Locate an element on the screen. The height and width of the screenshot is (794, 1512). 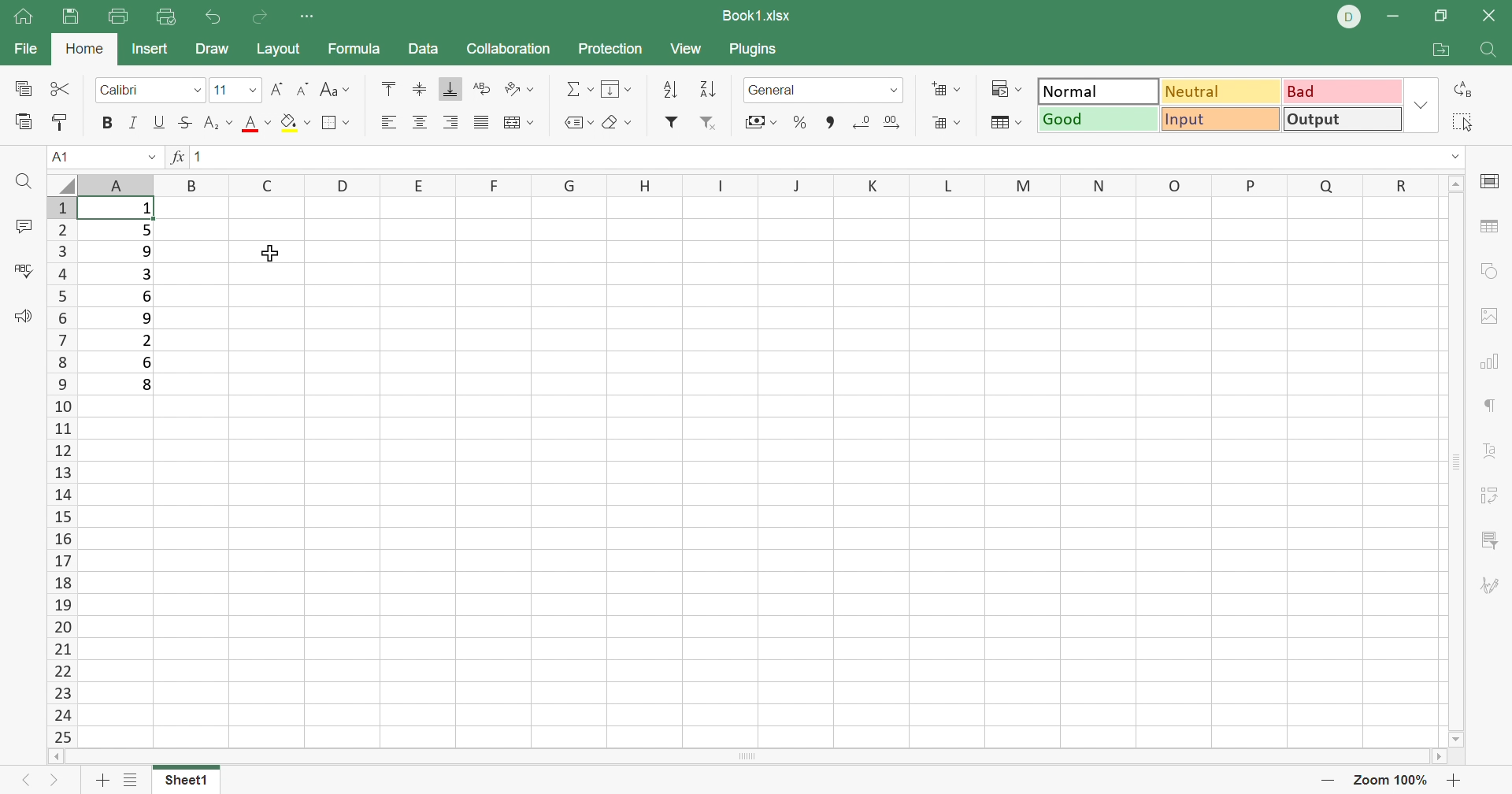
Good is located at coordinates (1099, 119).